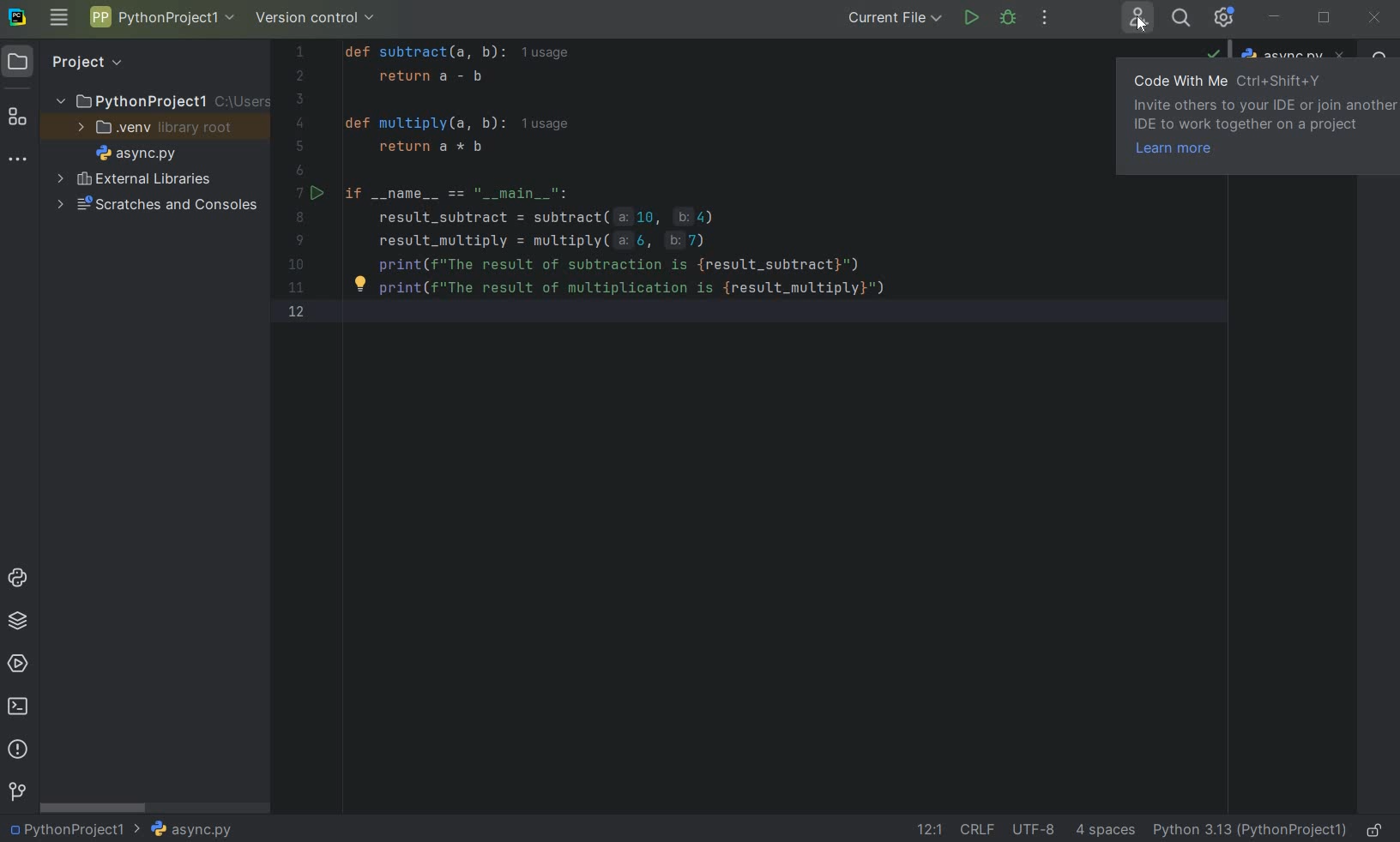 The width and height of the screenshot is (1400, 842). What do you see at coordinates (1011, 21) in the screenshot?
I see `DEBUG` at bounding box center [1011, 21].